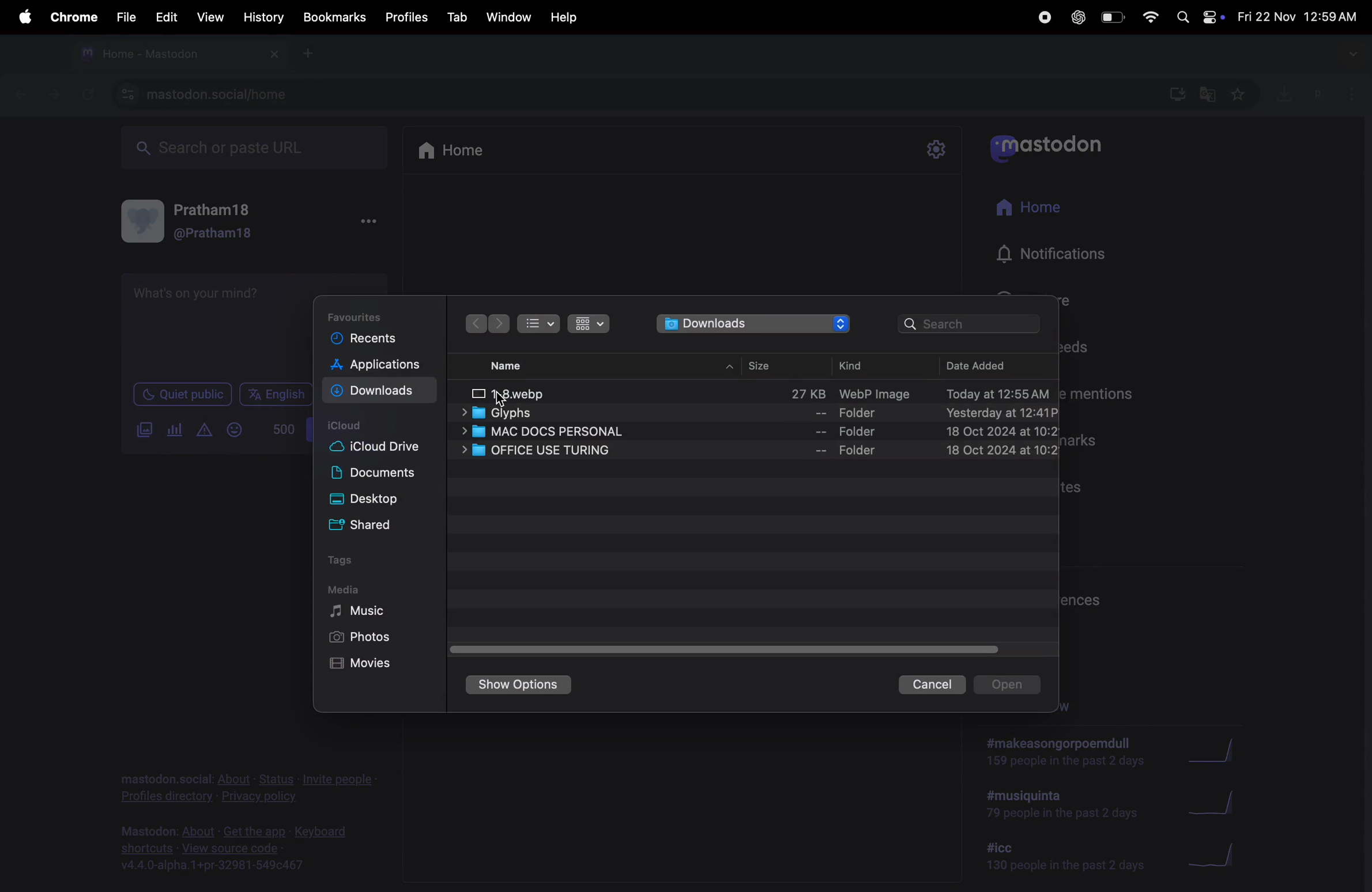 This screenshot has width=1372, height=892. I want to click on searchtabs, so click(1349, 56).